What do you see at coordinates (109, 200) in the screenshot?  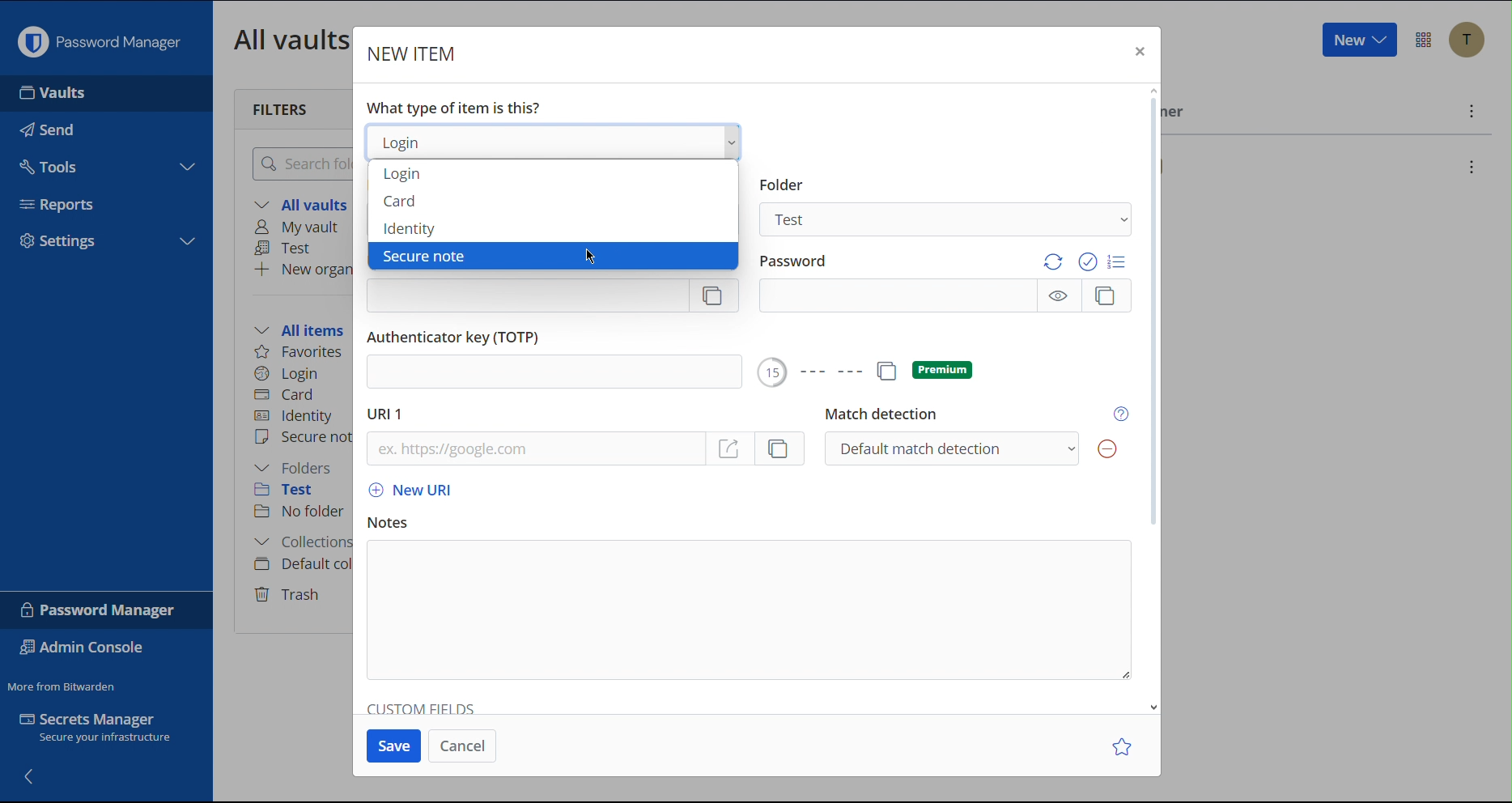 I see `Reports` at bounding box center [109, 200].